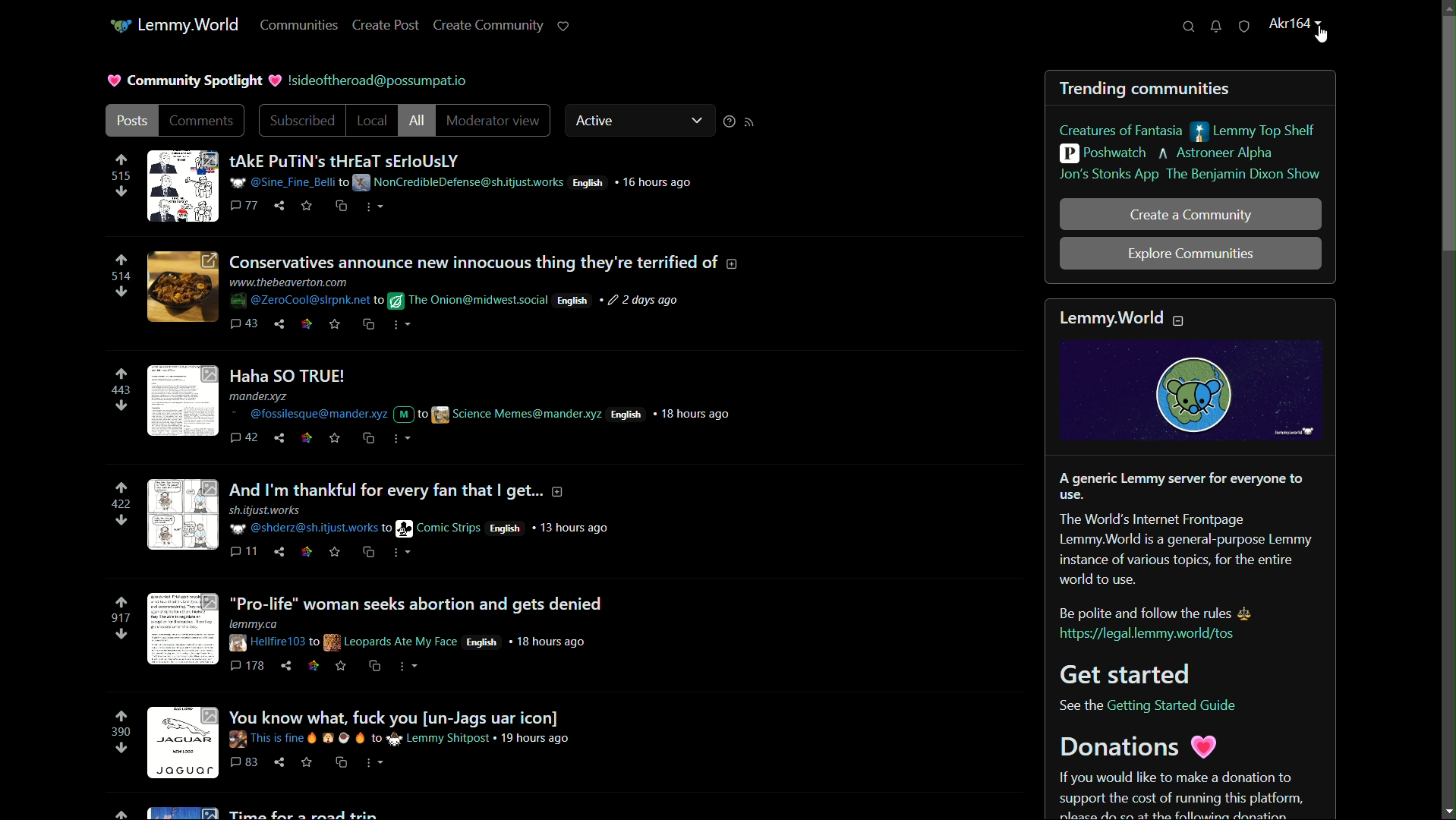 Image resolution: width=1456 pixels, height=820 pixels. I want to click on upvote, so click(120, 719).